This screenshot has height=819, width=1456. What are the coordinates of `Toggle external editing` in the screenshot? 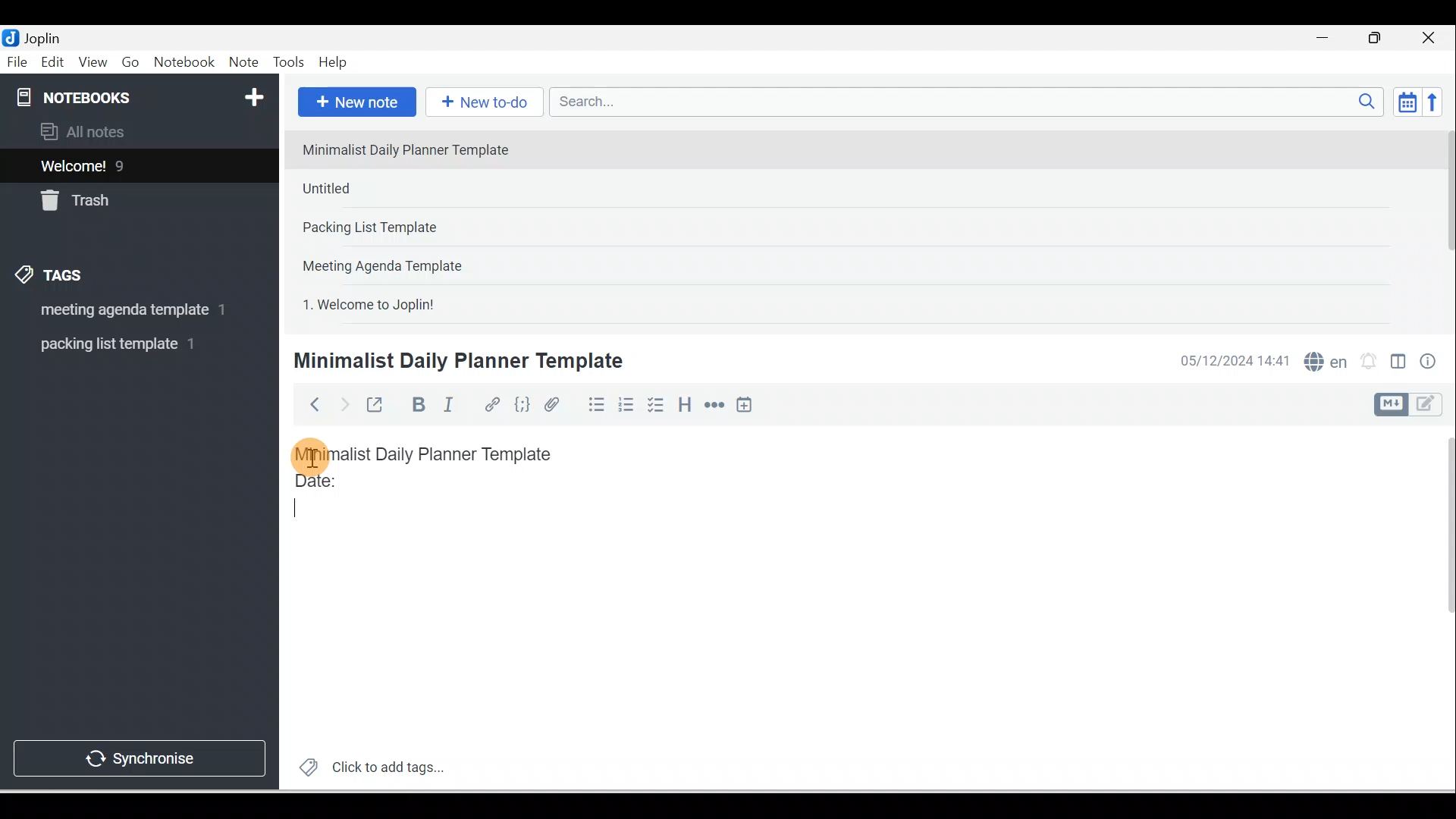 It's located at (377, 408).